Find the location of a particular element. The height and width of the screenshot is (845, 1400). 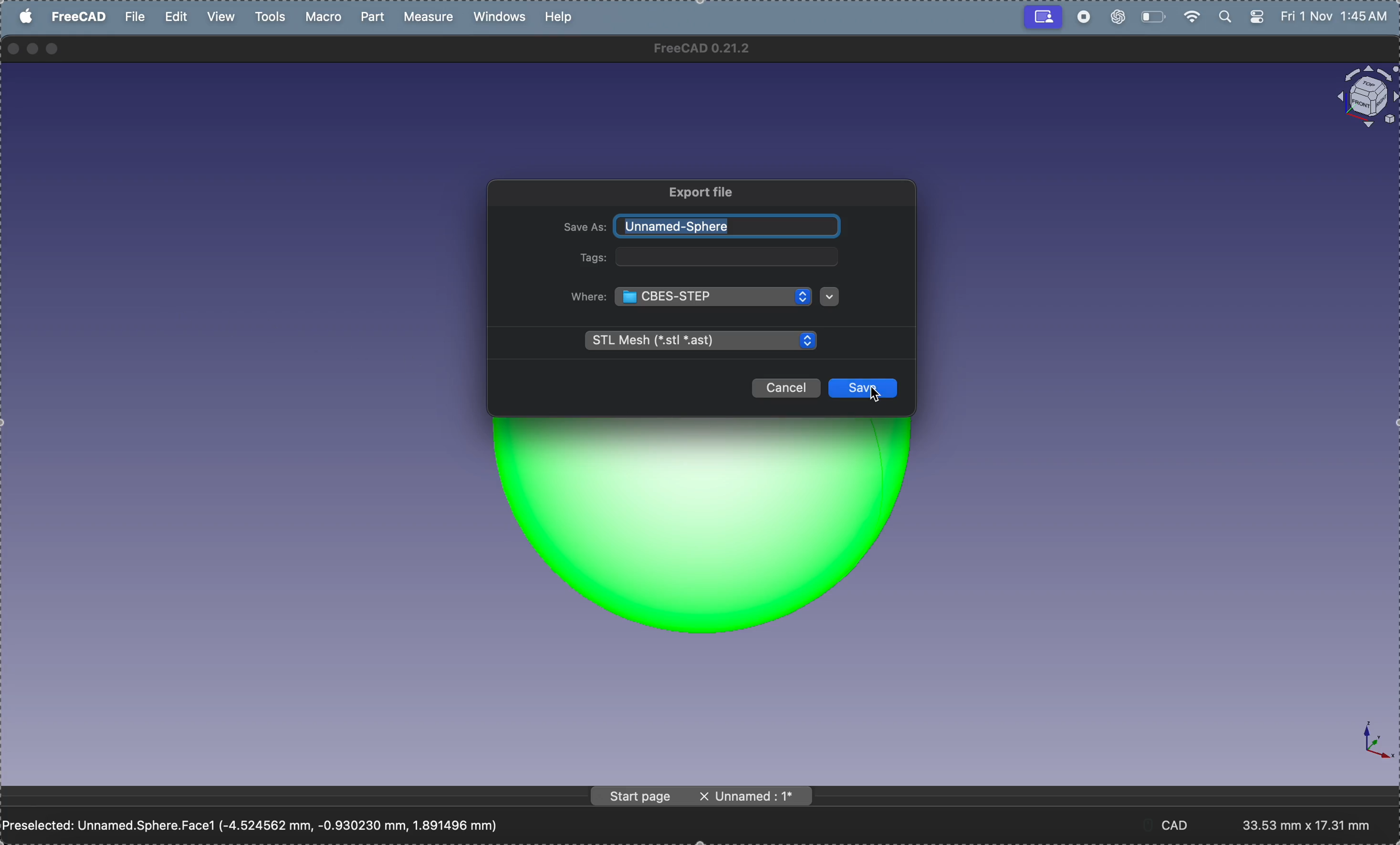

part is located at coordinates (376, 16).